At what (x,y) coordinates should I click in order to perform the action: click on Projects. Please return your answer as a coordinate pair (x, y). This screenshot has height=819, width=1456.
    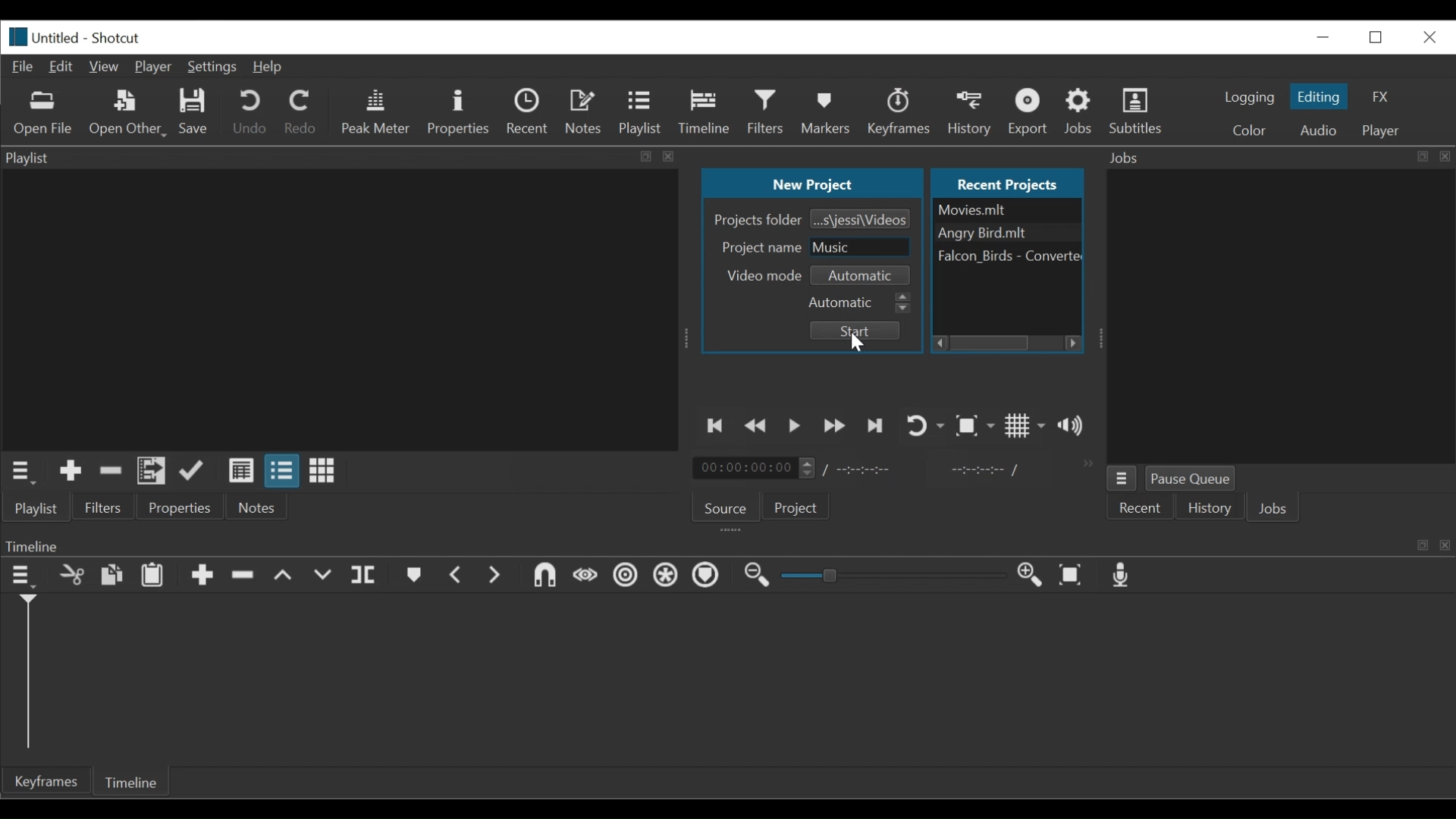
    Looking at the image, I should click on (798, 505).